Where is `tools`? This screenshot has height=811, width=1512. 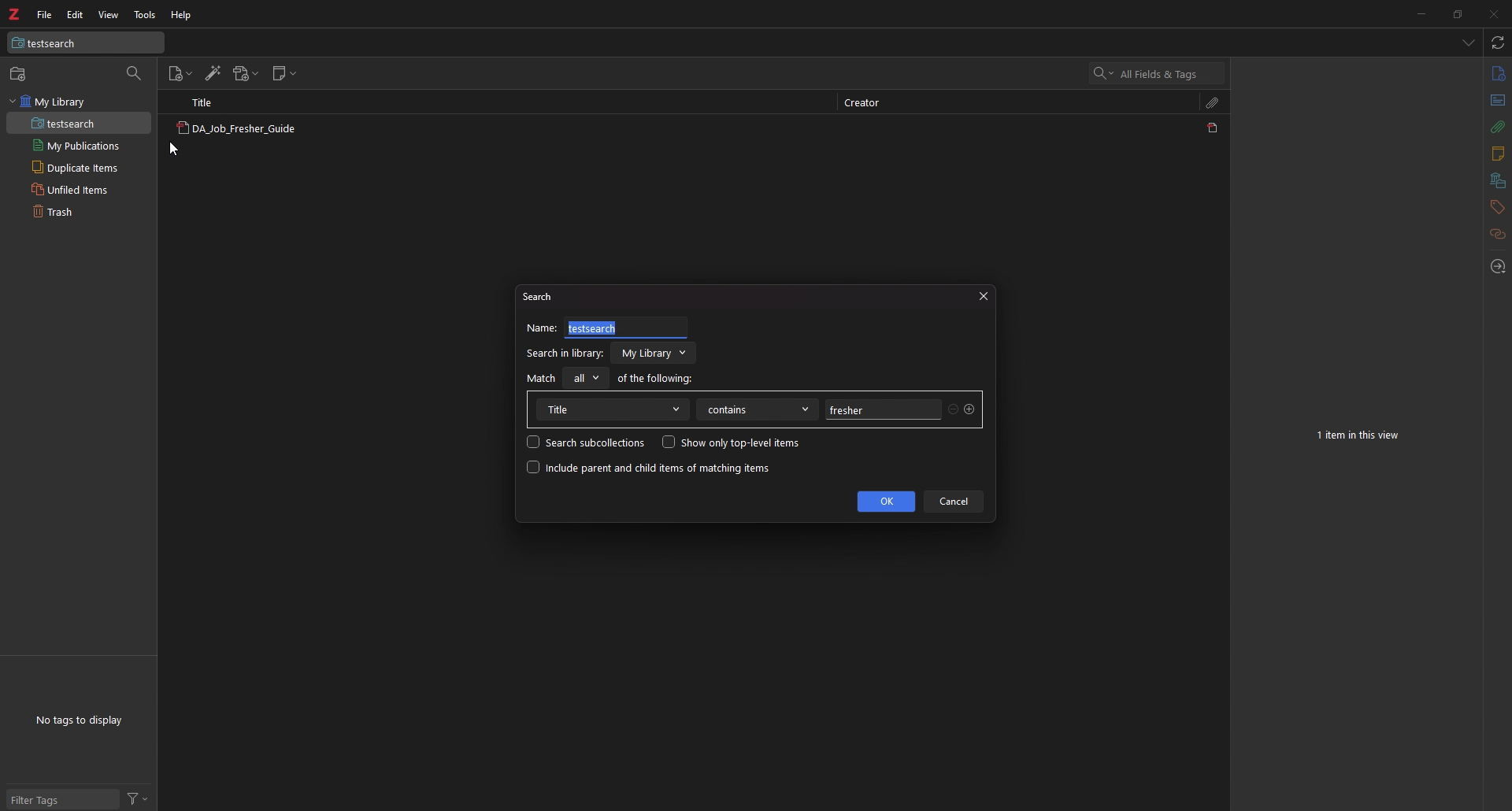
tools is located at coordinates (146, 15).